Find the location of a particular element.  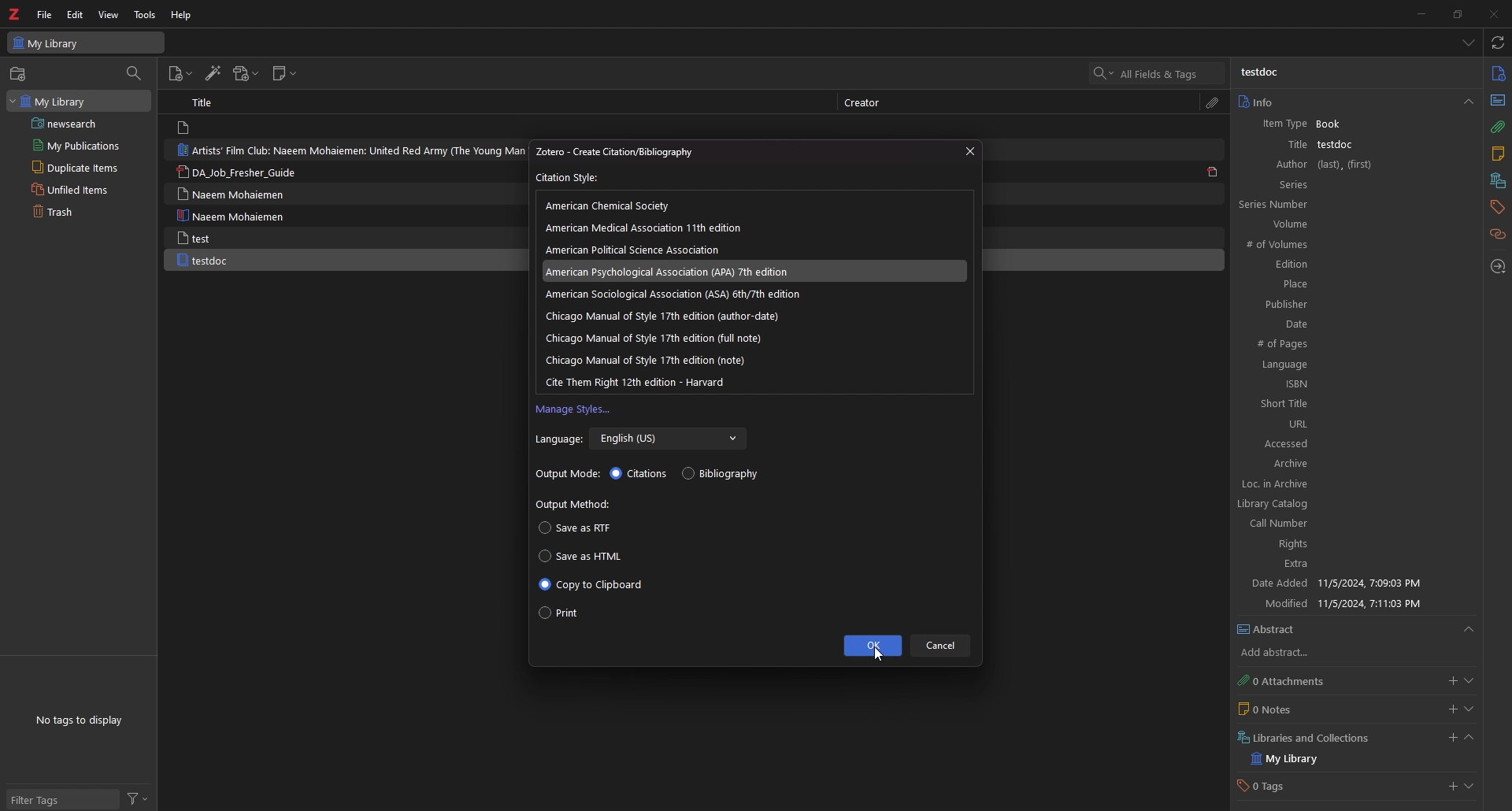

Loc. in Archive is located at coordinates (1345, 484).